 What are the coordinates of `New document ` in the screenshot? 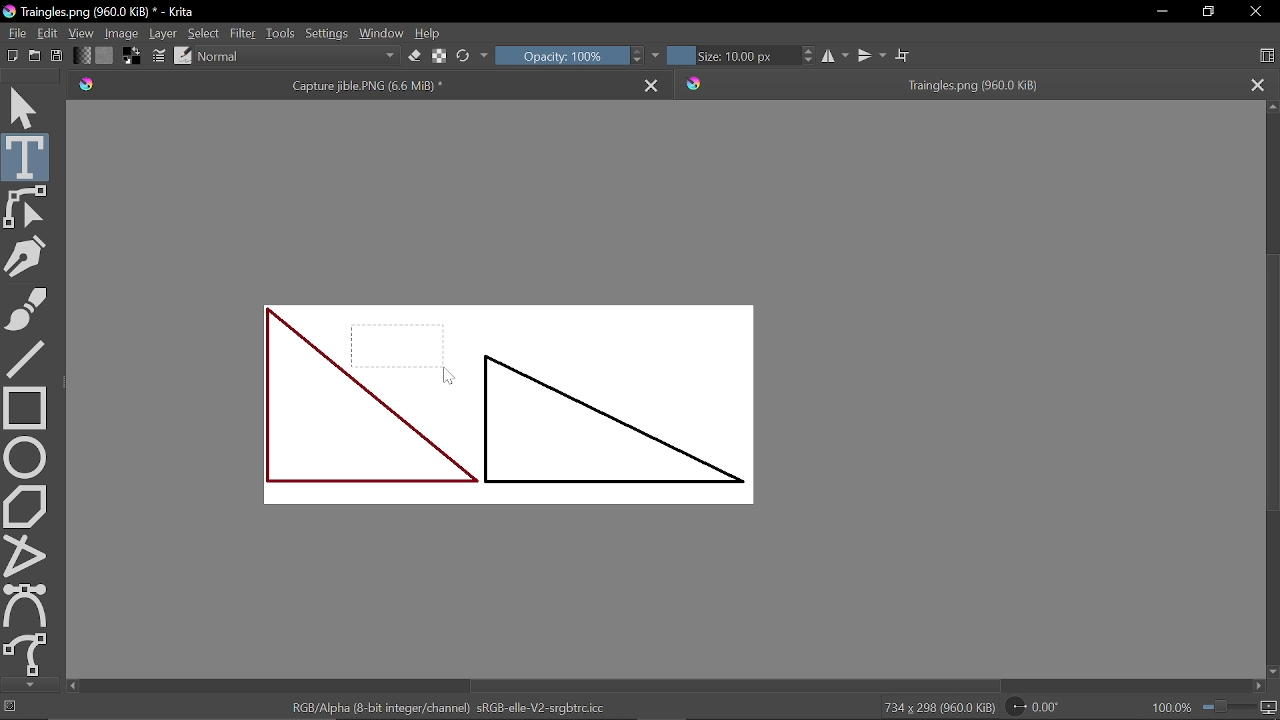 It's located at (10, 57).